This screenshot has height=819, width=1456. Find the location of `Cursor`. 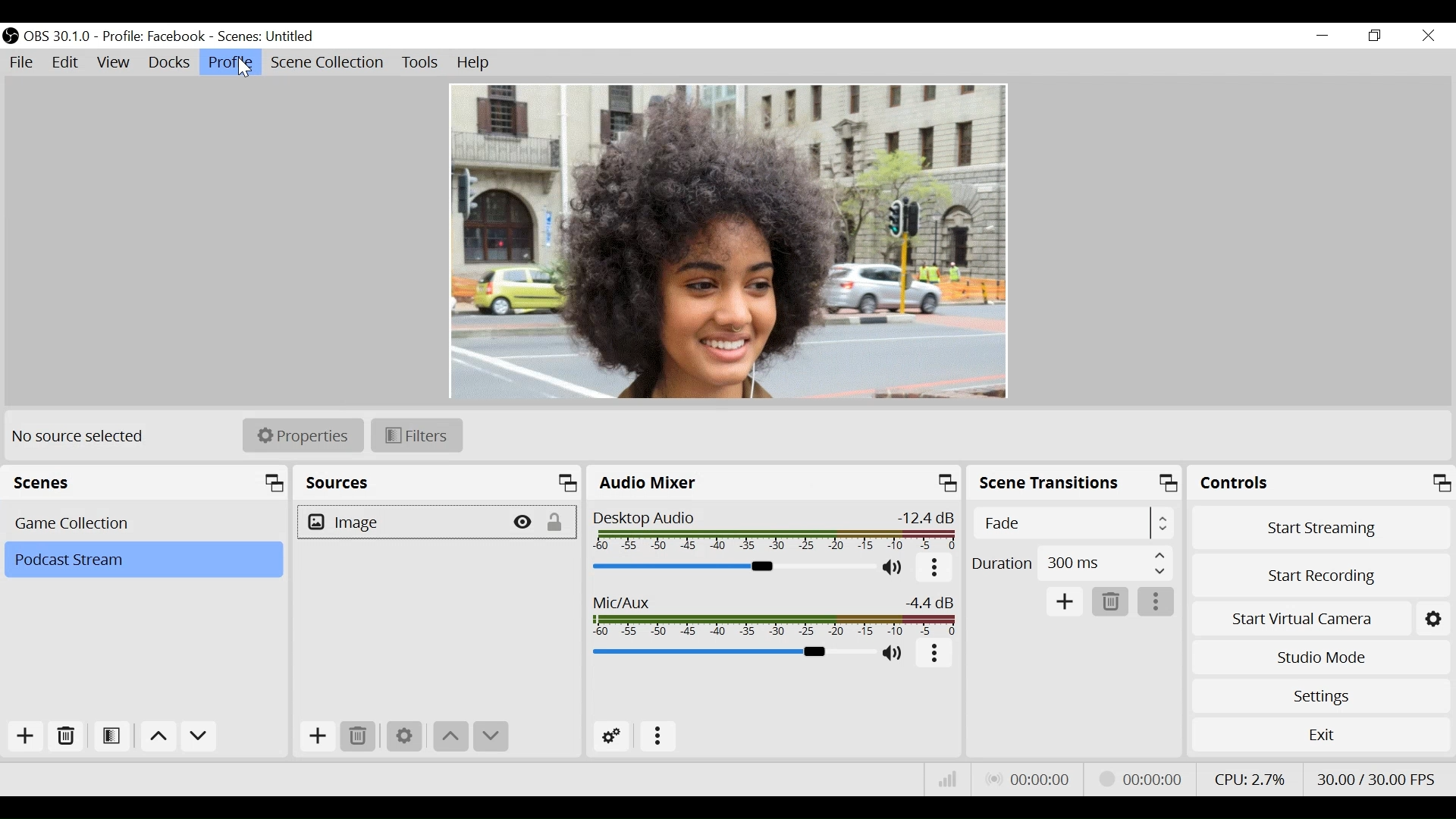

Cursor is located at coordinates (240, 68).